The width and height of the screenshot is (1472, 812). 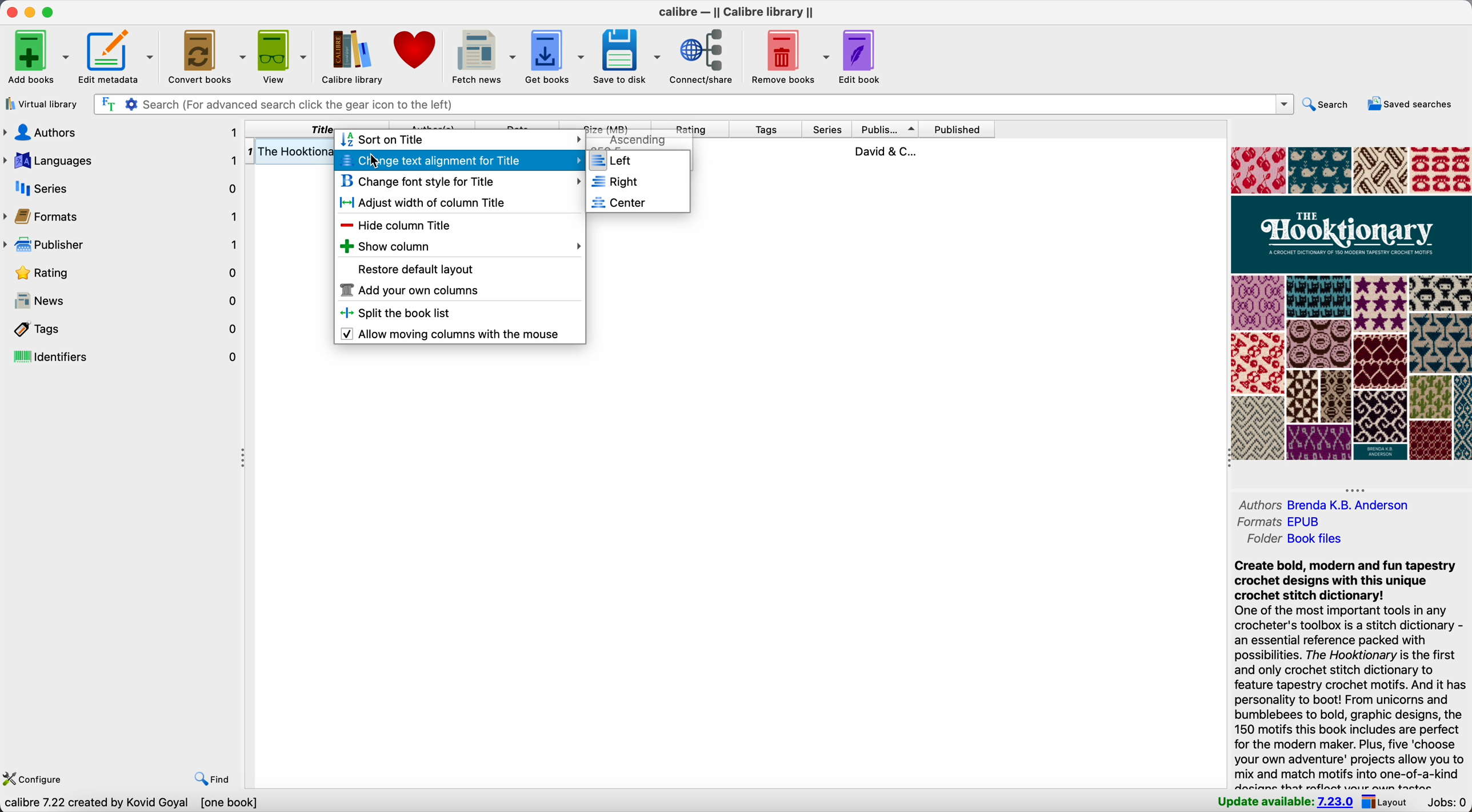 I want to click on formats EPUB, so click(x=1278, y=522).